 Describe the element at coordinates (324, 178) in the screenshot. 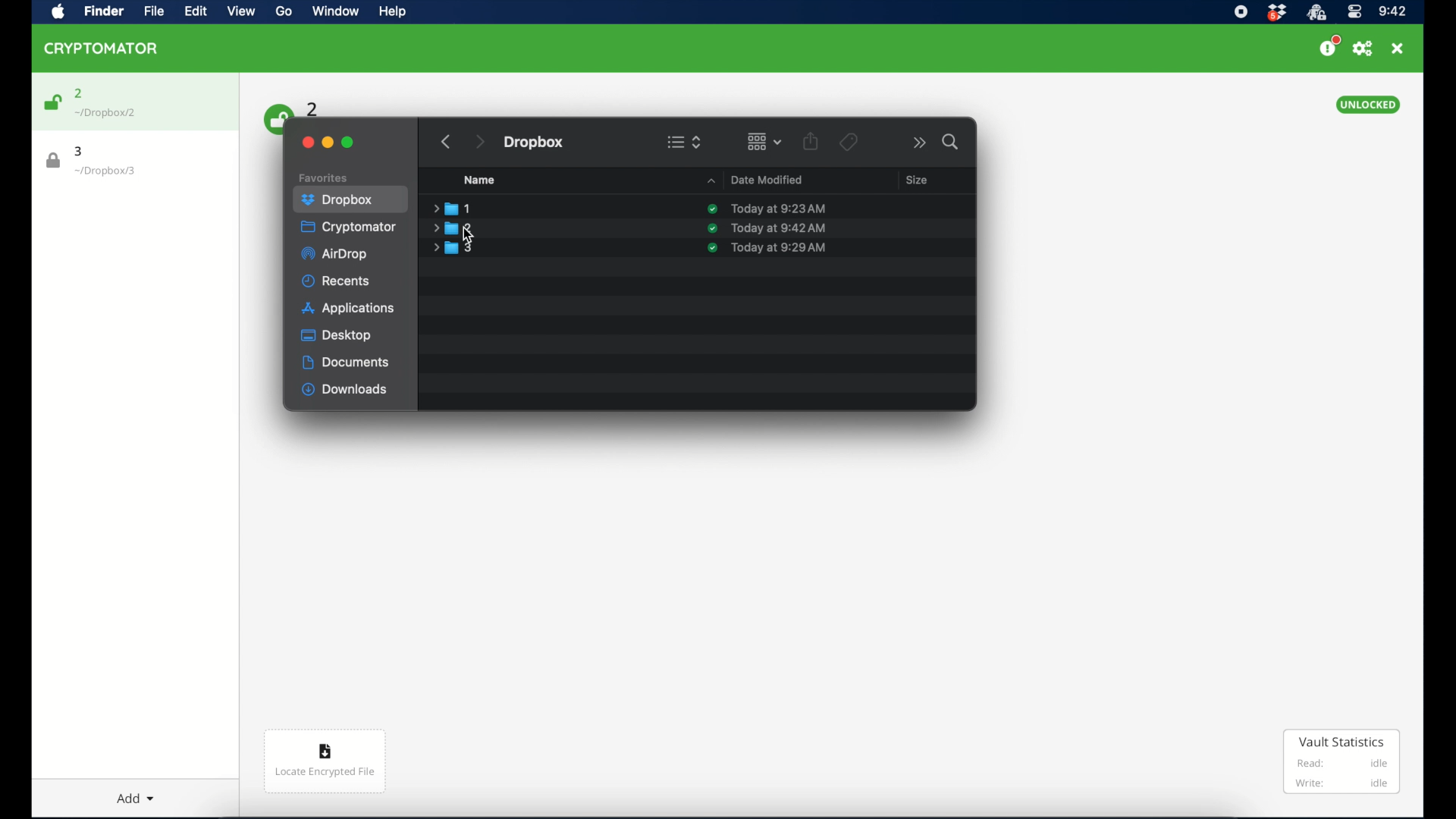

I see `favorites` at that location.